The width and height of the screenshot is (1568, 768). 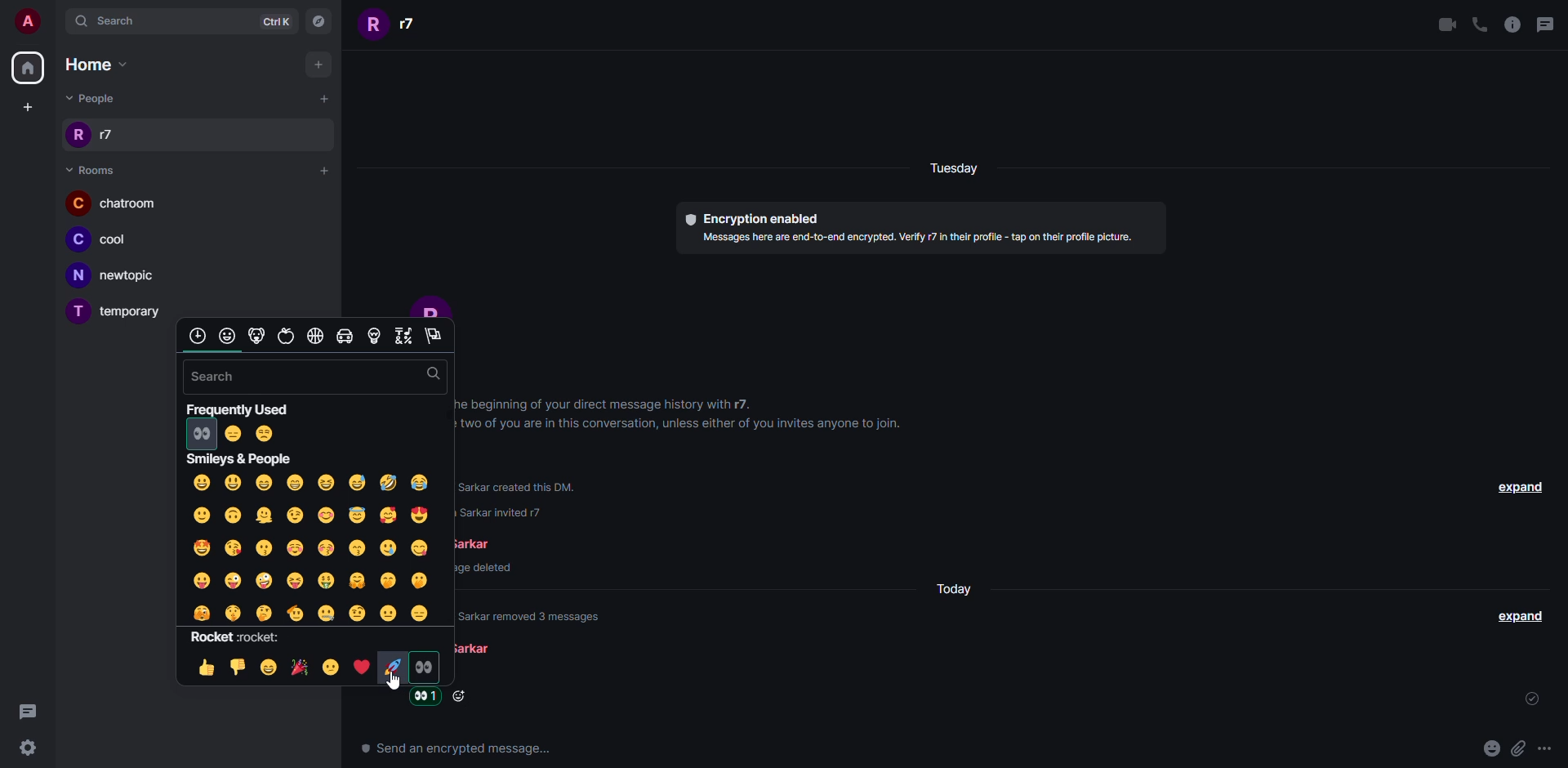 I want to click on day, so click(x=952, y=169).